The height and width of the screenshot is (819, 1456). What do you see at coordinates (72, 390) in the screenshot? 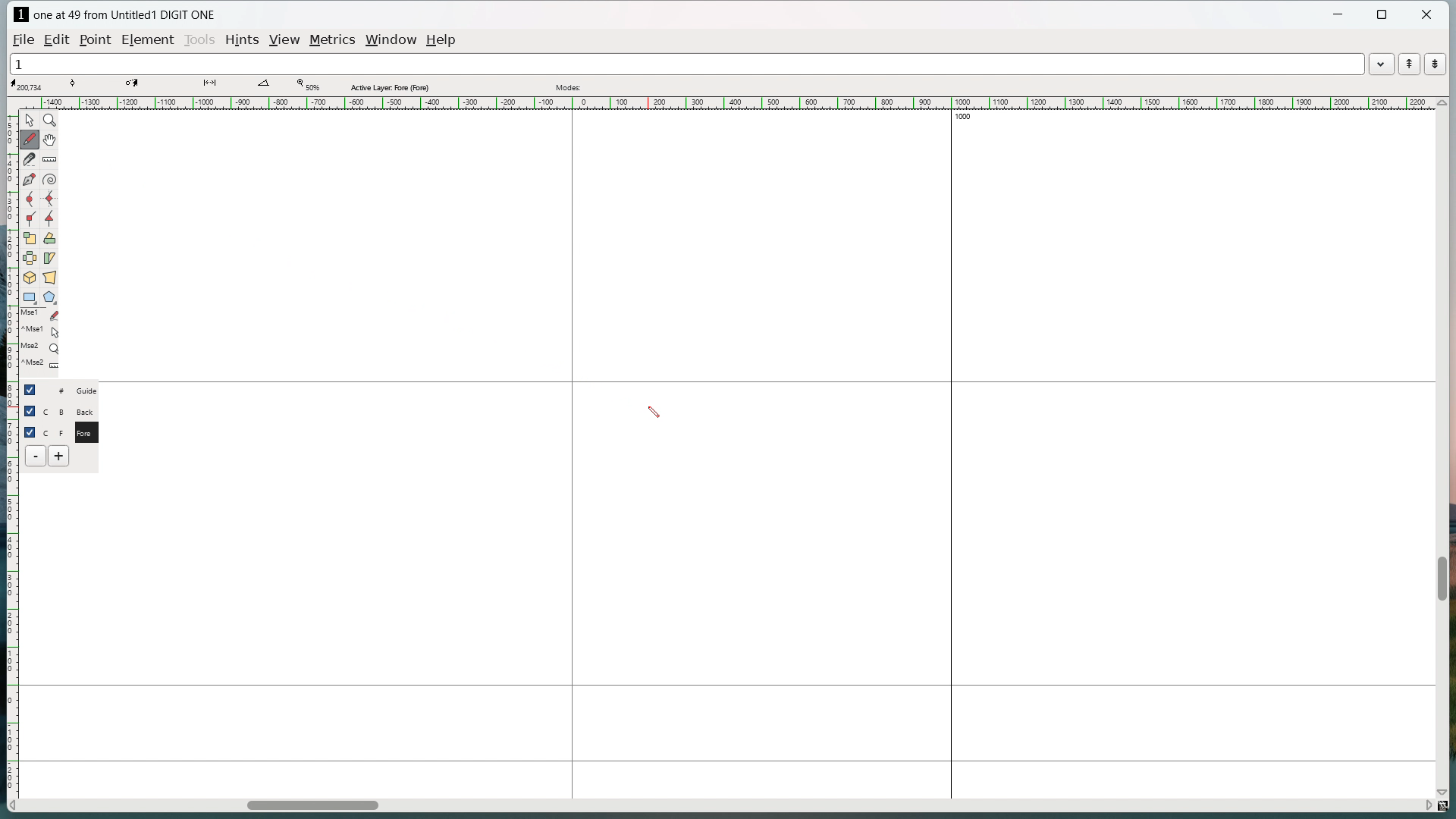
I see `# Guide` at bounding box center [72, 390].